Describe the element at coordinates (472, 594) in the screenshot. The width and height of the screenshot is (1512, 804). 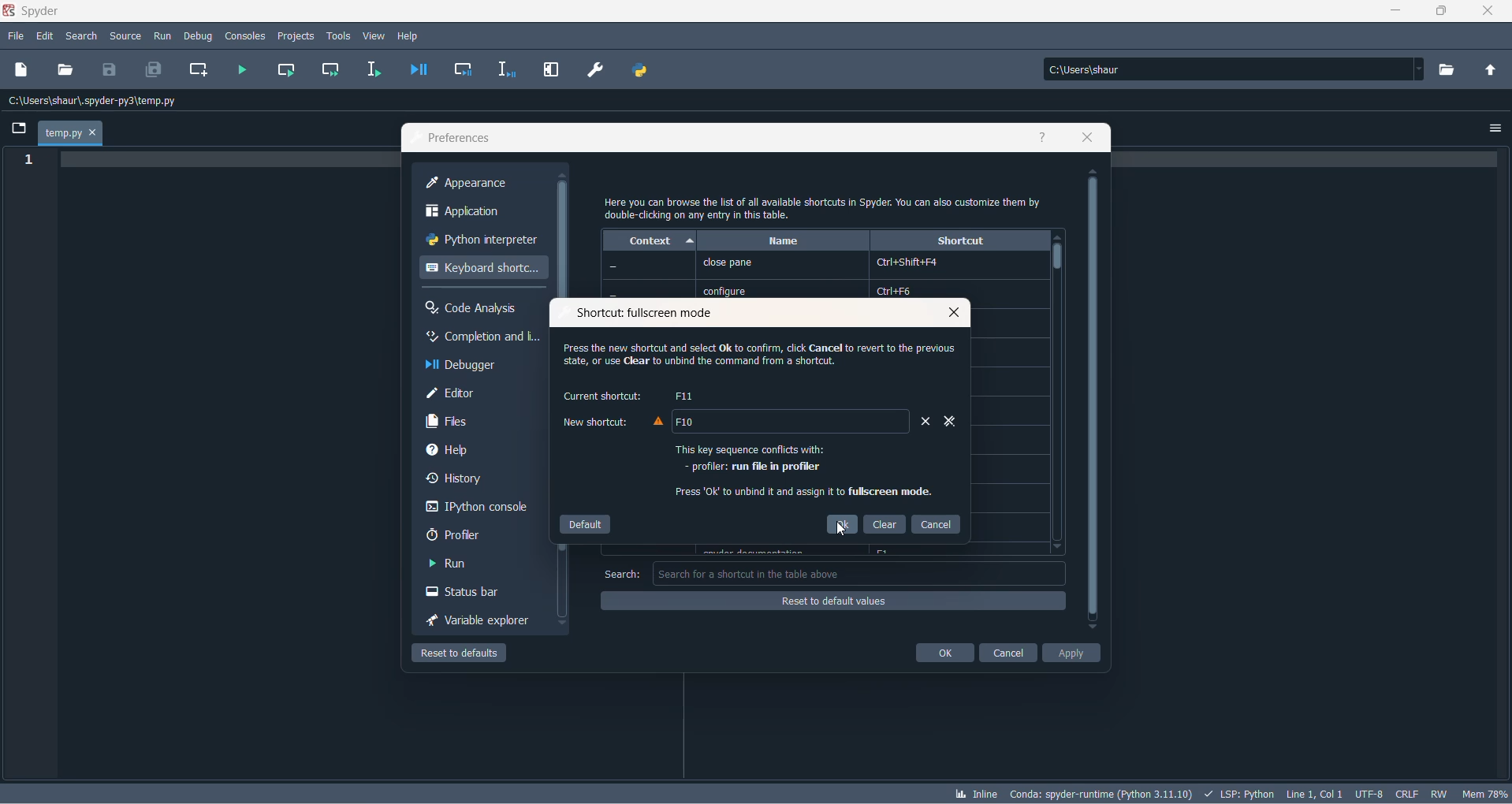
I see `status bar` at that location.